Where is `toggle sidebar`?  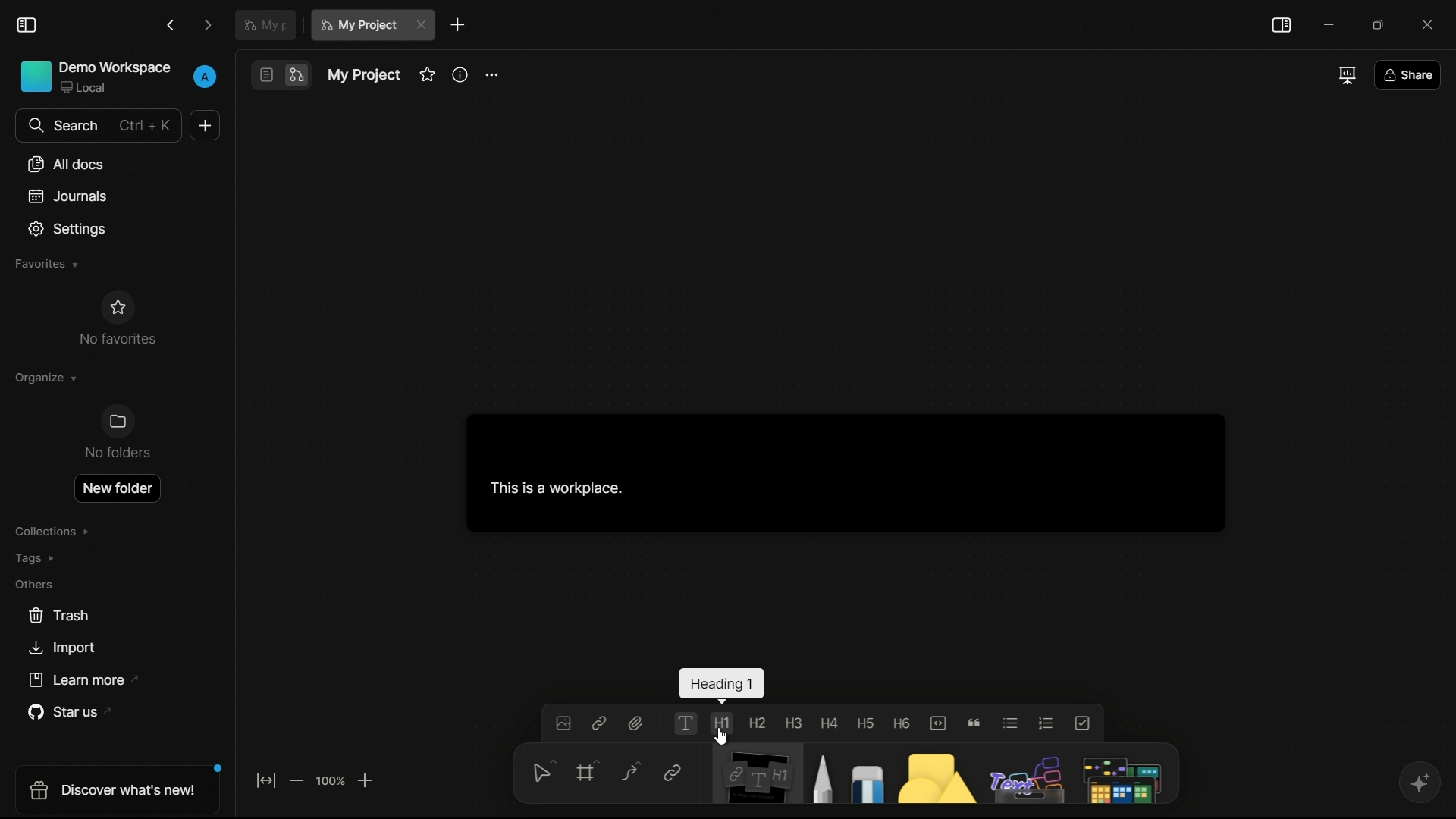
toggle sidebar is located at coordinates (1282, 26).